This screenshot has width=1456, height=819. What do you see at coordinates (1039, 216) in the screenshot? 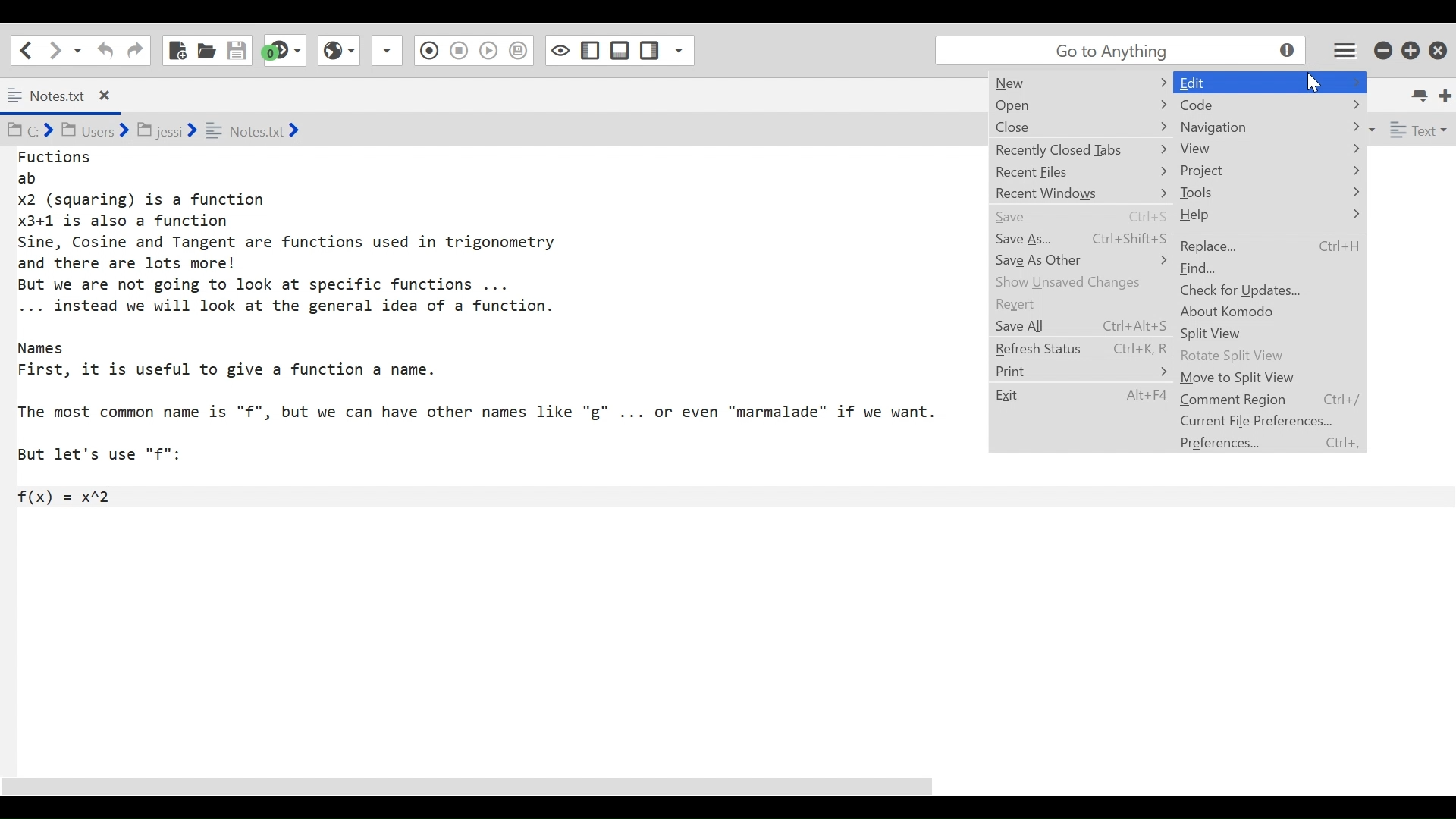
I see `Save` at bounding box center [1039, 216].